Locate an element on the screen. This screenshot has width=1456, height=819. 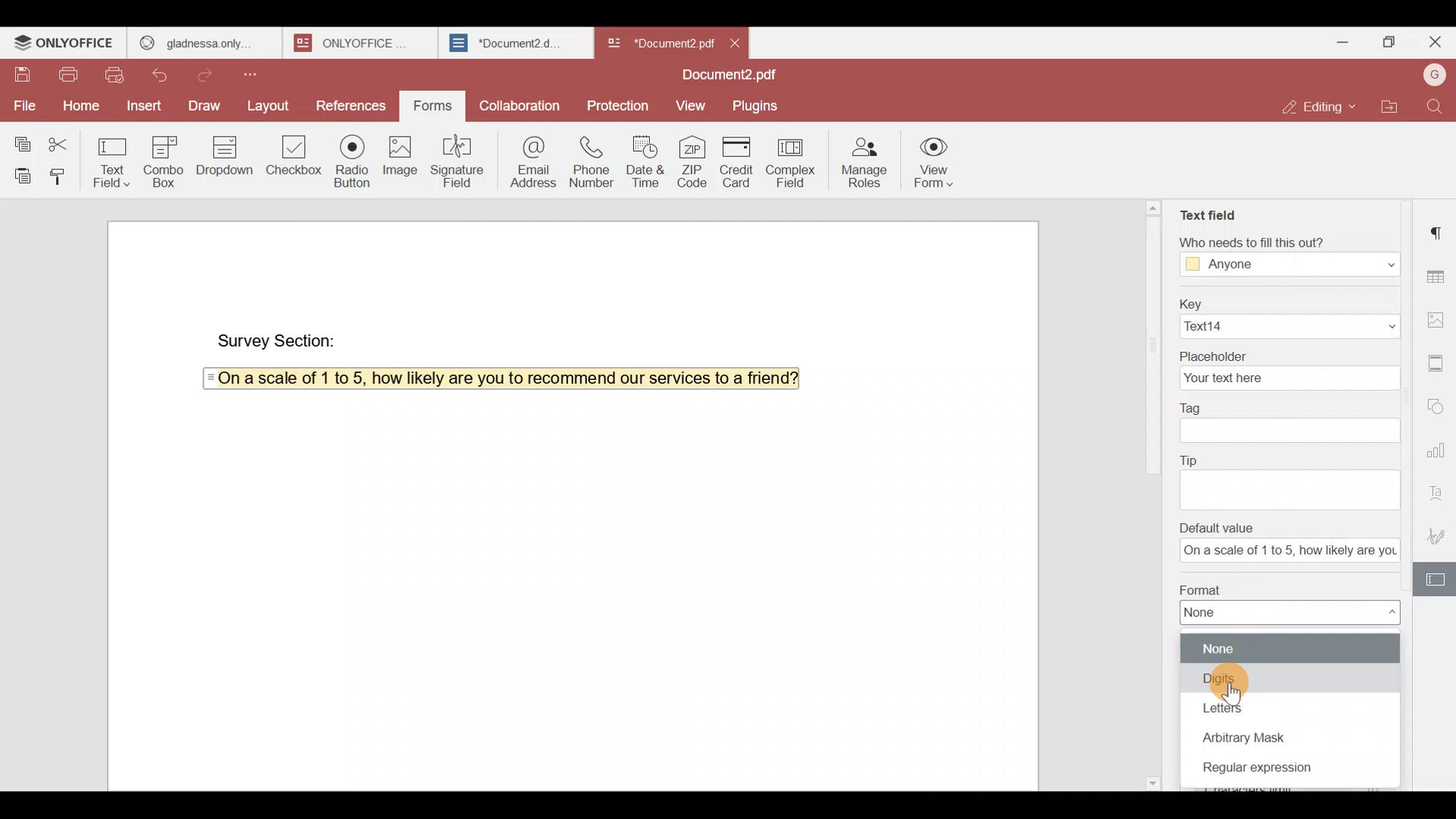
Redo is located at coordinates (210, 73).